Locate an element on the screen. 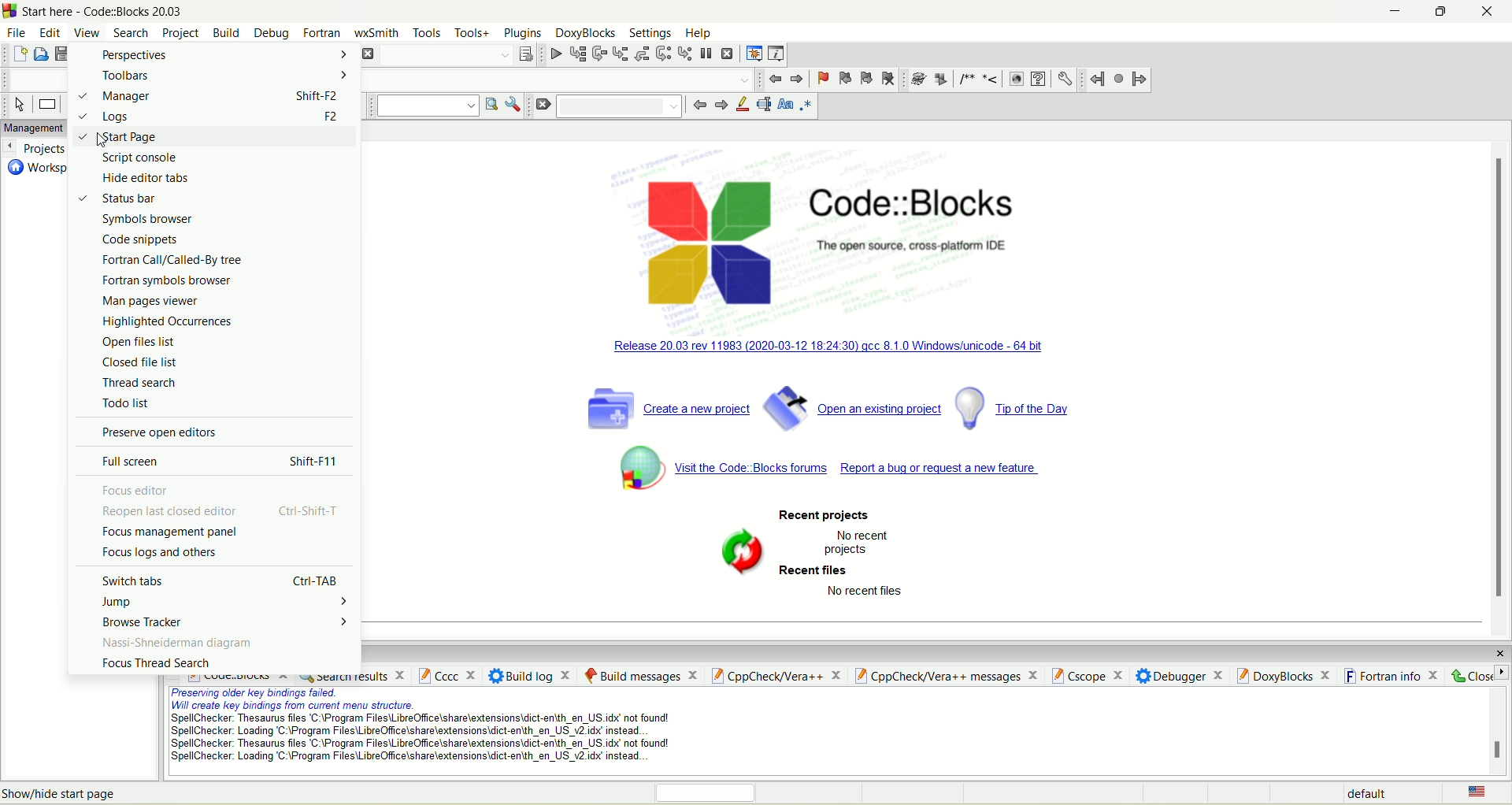 The height and width of the screenshot is (805, 1512). debug is located at coordinates (553, 54).